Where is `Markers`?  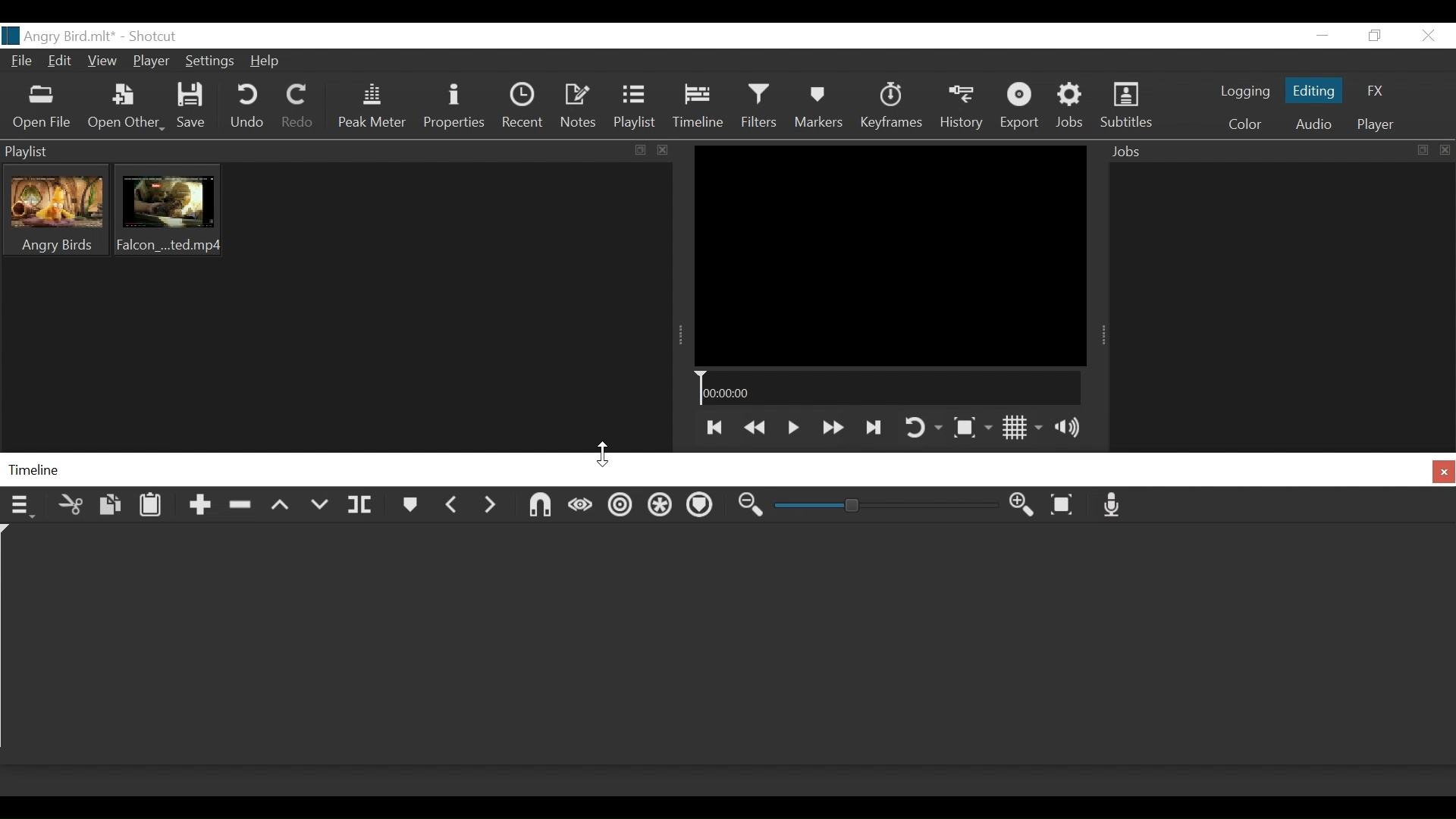 Markers is located at coordinates (821, 107).